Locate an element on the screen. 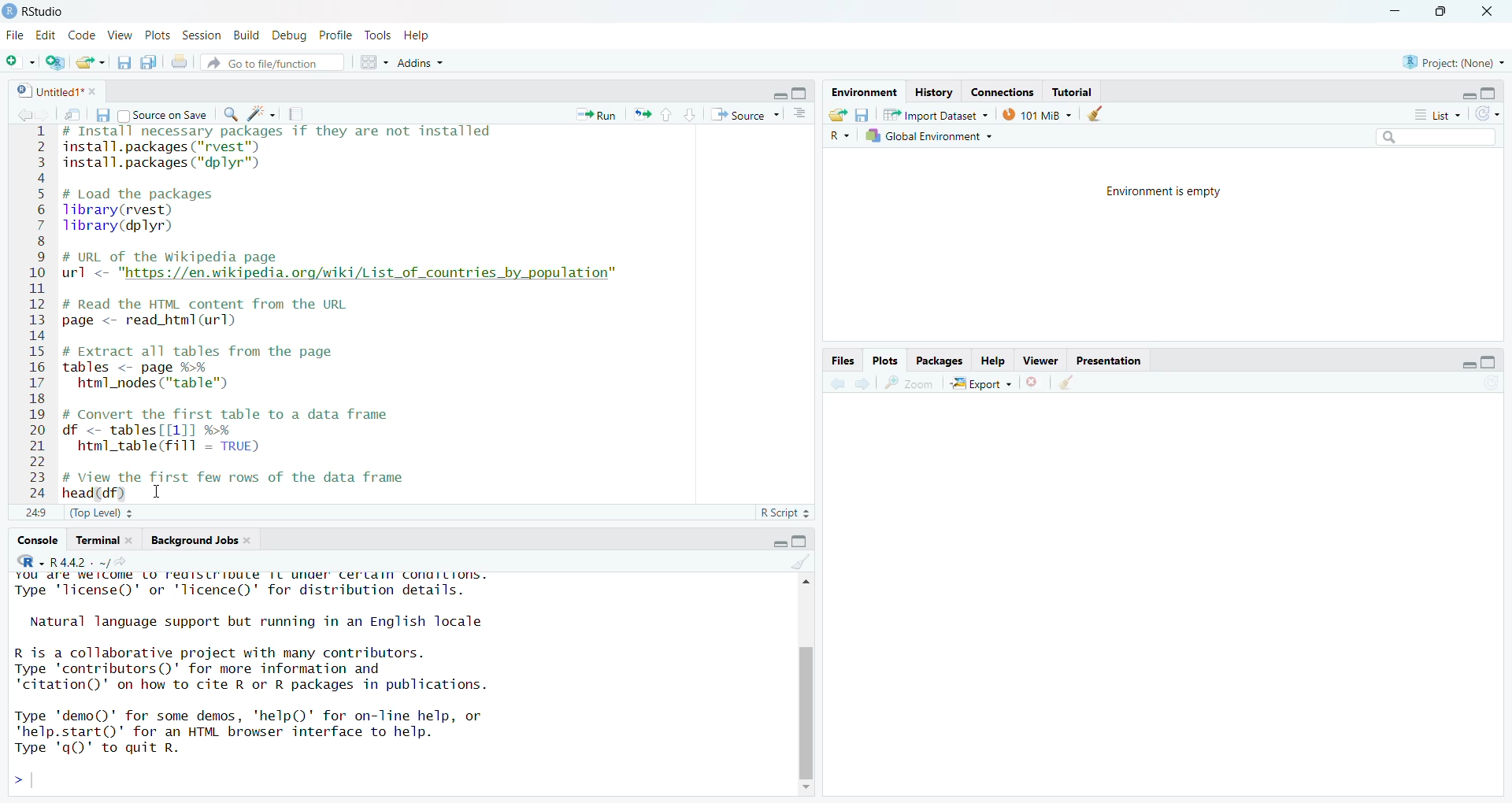 This screenshot has height=803, width=1512. # View the first few rows of the data frame head(df)  is located at coordinates (255, 485).